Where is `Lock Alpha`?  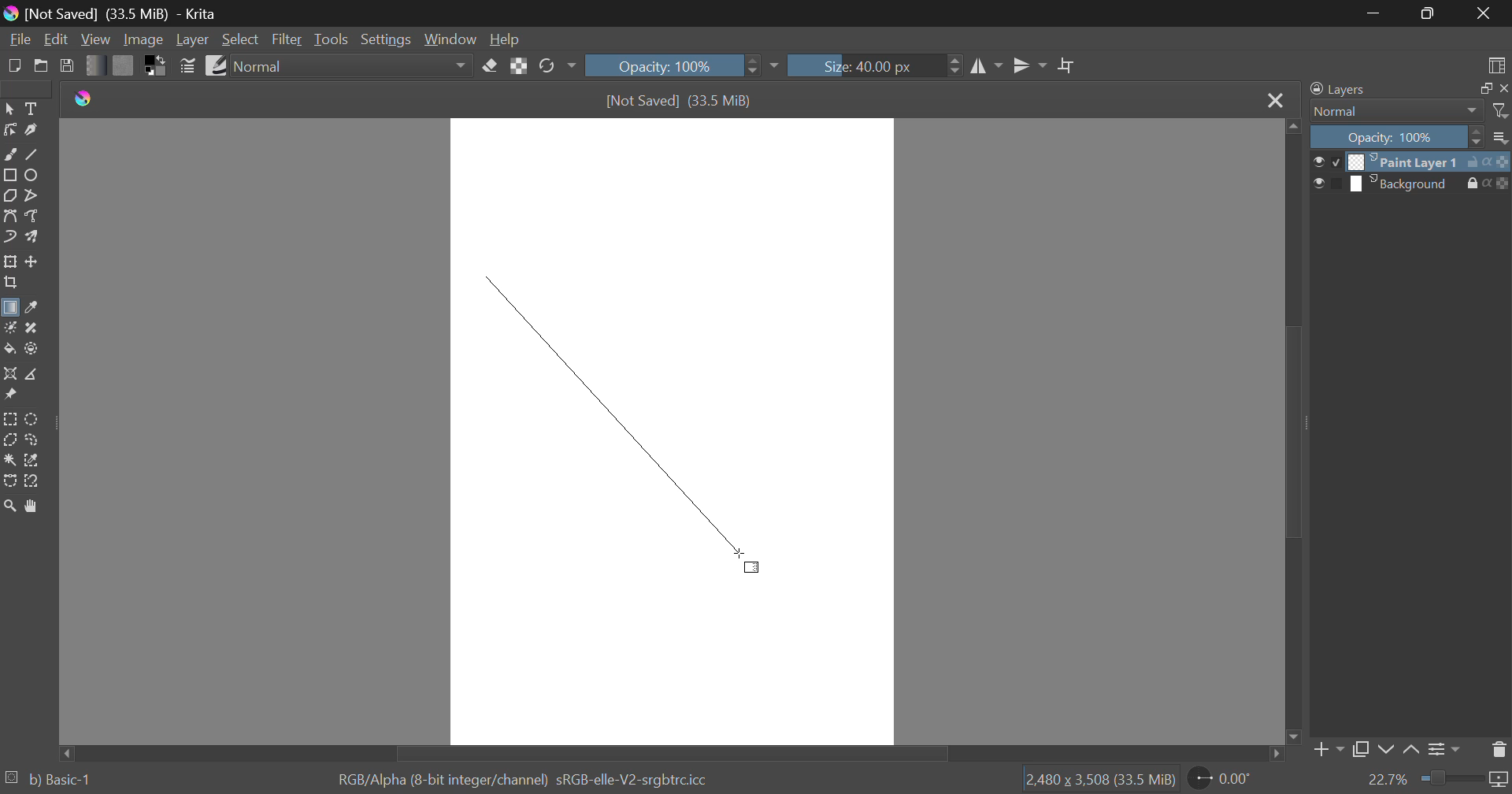 Lock Alpha is located at coordinates (518, 66).